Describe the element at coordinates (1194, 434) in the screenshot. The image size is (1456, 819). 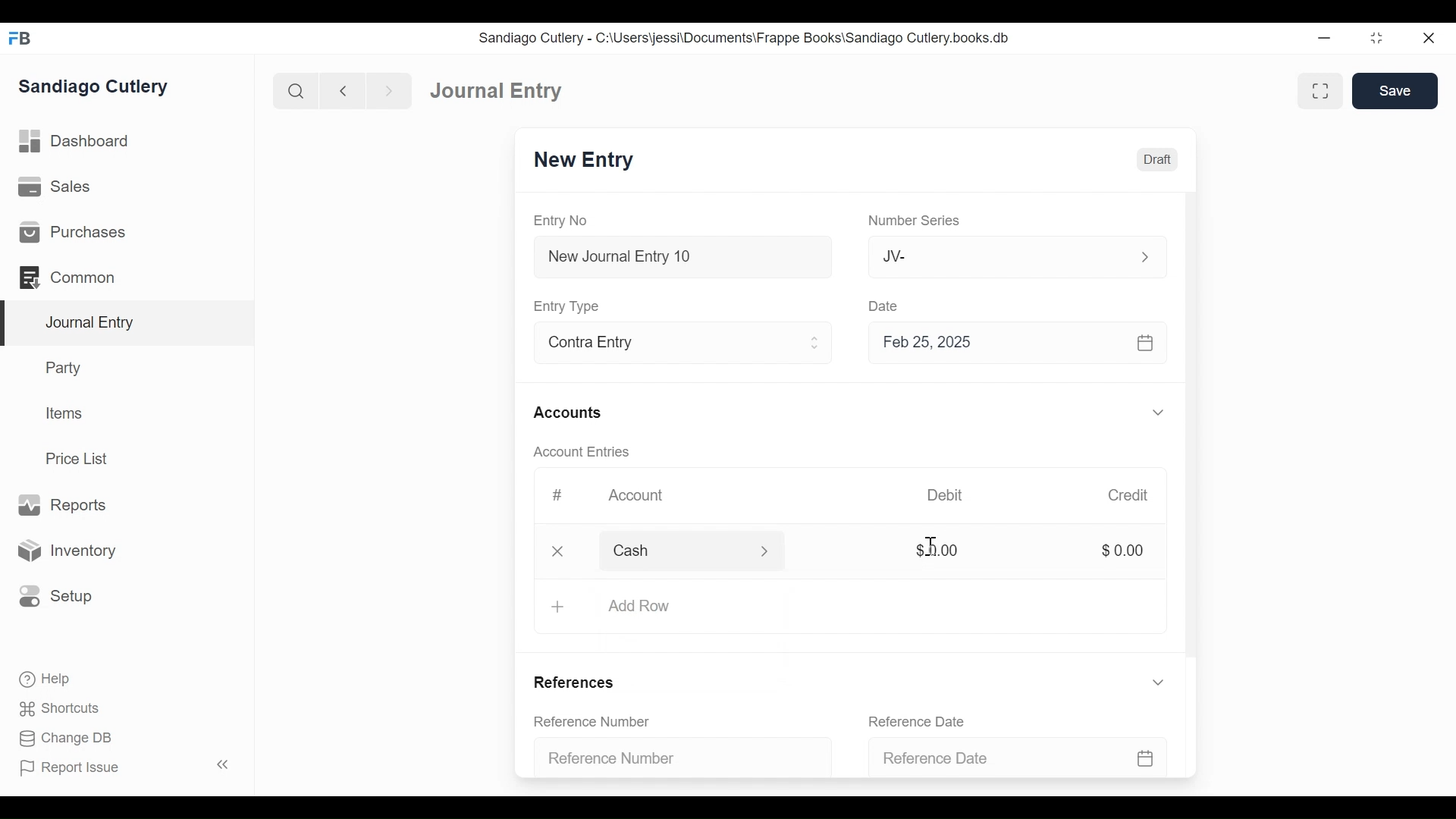
I see `Vertical Scroll bar` at that location.